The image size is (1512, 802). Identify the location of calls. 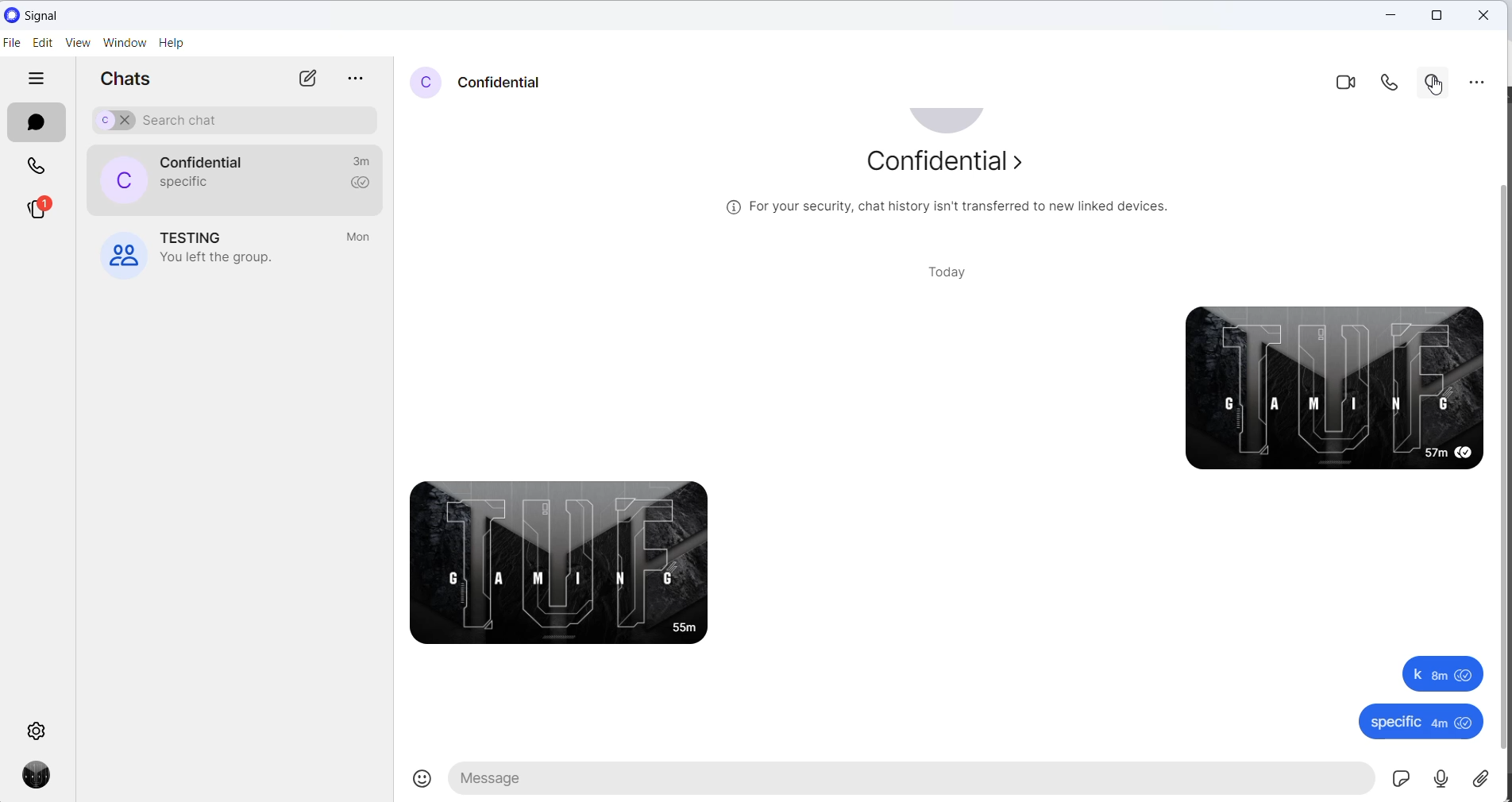
(39, 166).